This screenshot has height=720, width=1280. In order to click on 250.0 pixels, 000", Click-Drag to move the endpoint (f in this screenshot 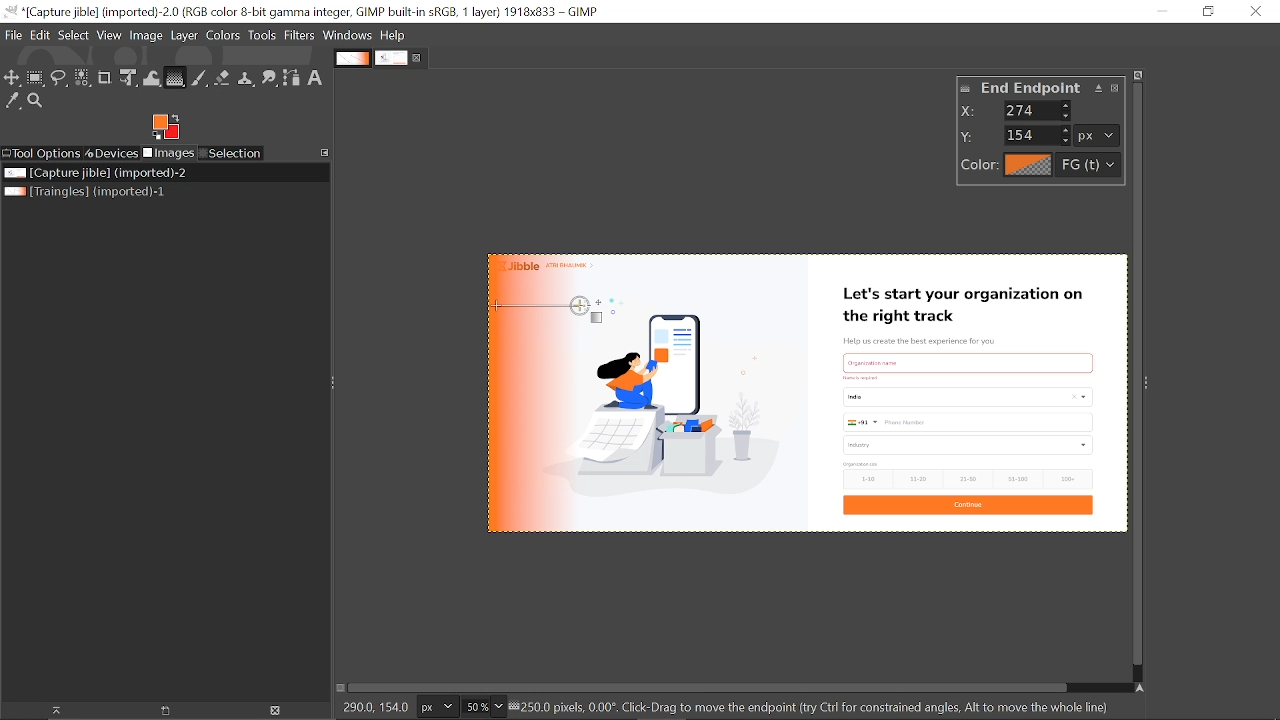, I will do `click(818, 707)`.